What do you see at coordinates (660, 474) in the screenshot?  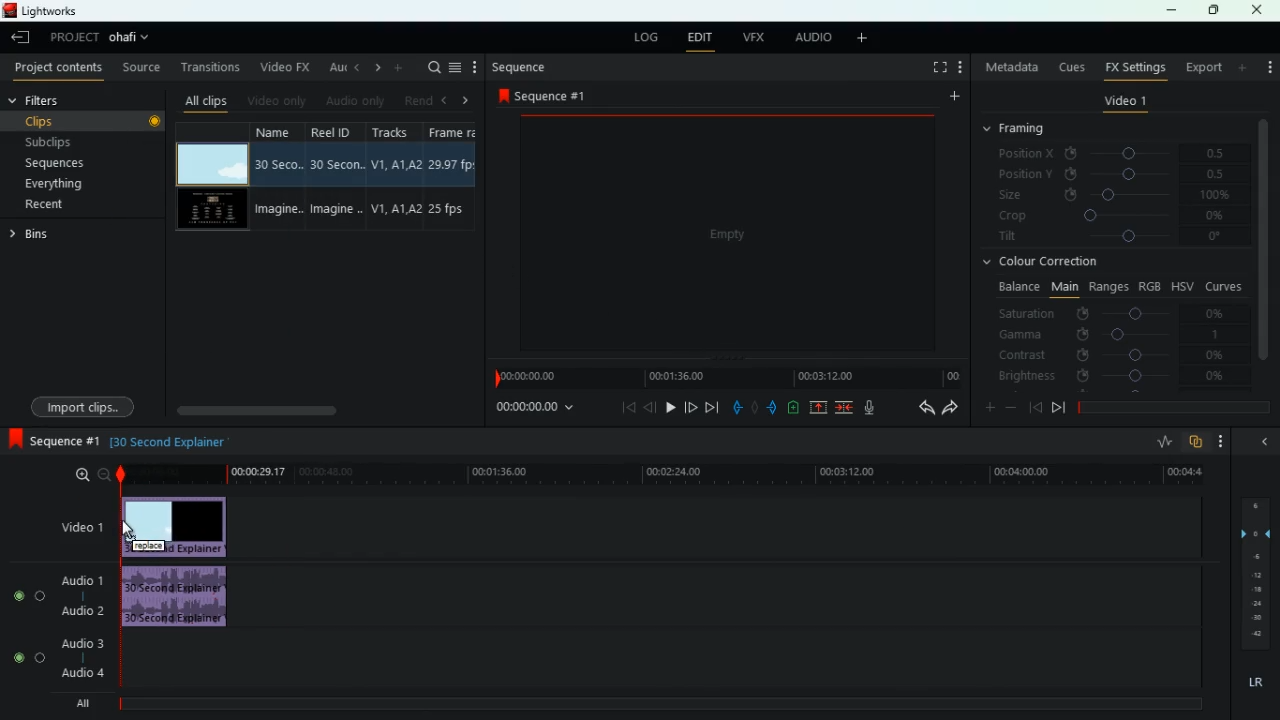 I see `time` at bounding box center [660, 474].